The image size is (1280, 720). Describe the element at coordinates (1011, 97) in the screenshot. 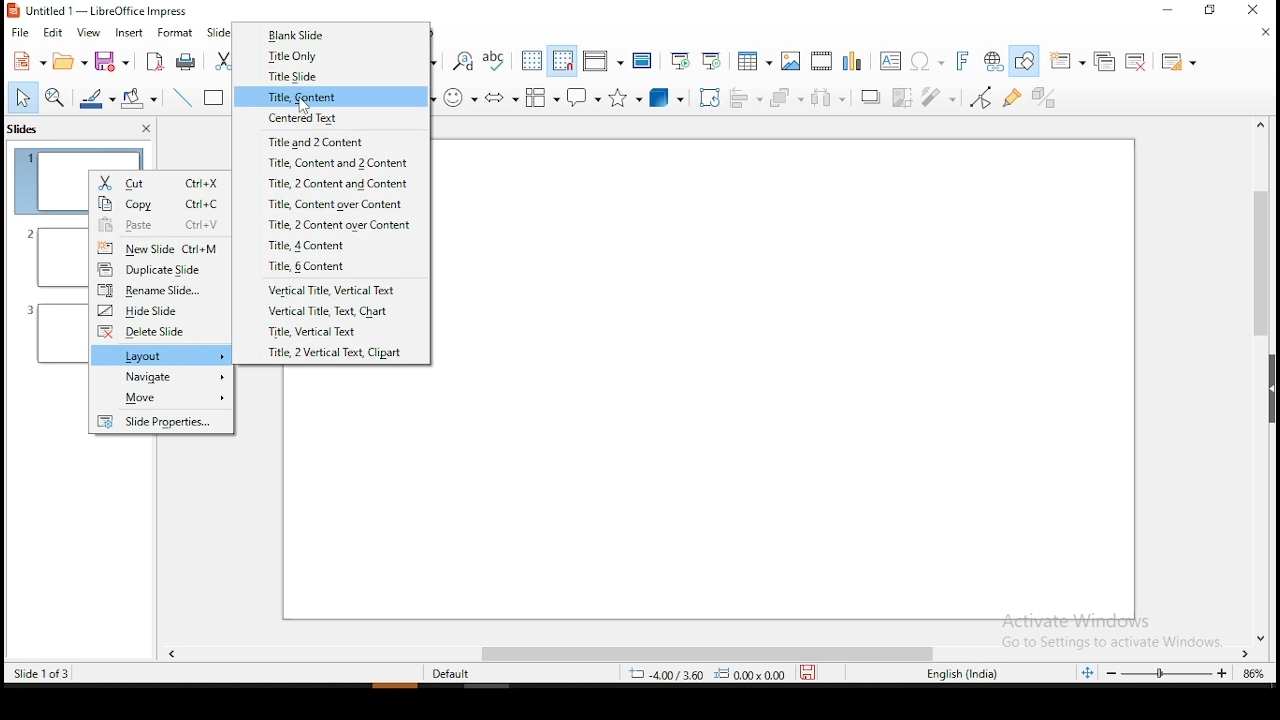

I see `show gluepoint functions` at that location.